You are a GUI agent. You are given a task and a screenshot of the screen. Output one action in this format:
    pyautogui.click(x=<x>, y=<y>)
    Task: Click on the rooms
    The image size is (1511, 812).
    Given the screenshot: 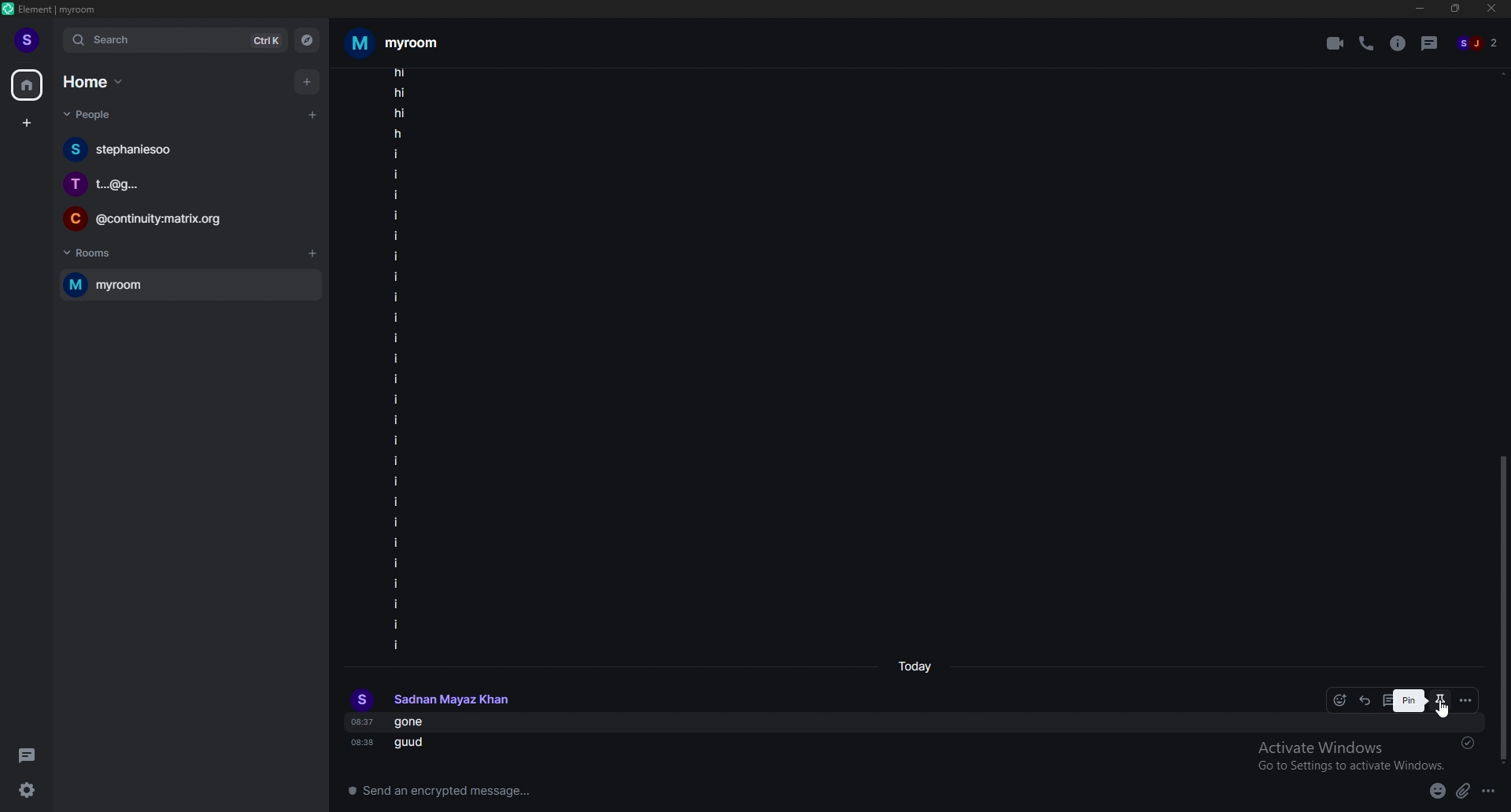 What is the action you would take?
    pyautogui.click(x=97, y=254)
    